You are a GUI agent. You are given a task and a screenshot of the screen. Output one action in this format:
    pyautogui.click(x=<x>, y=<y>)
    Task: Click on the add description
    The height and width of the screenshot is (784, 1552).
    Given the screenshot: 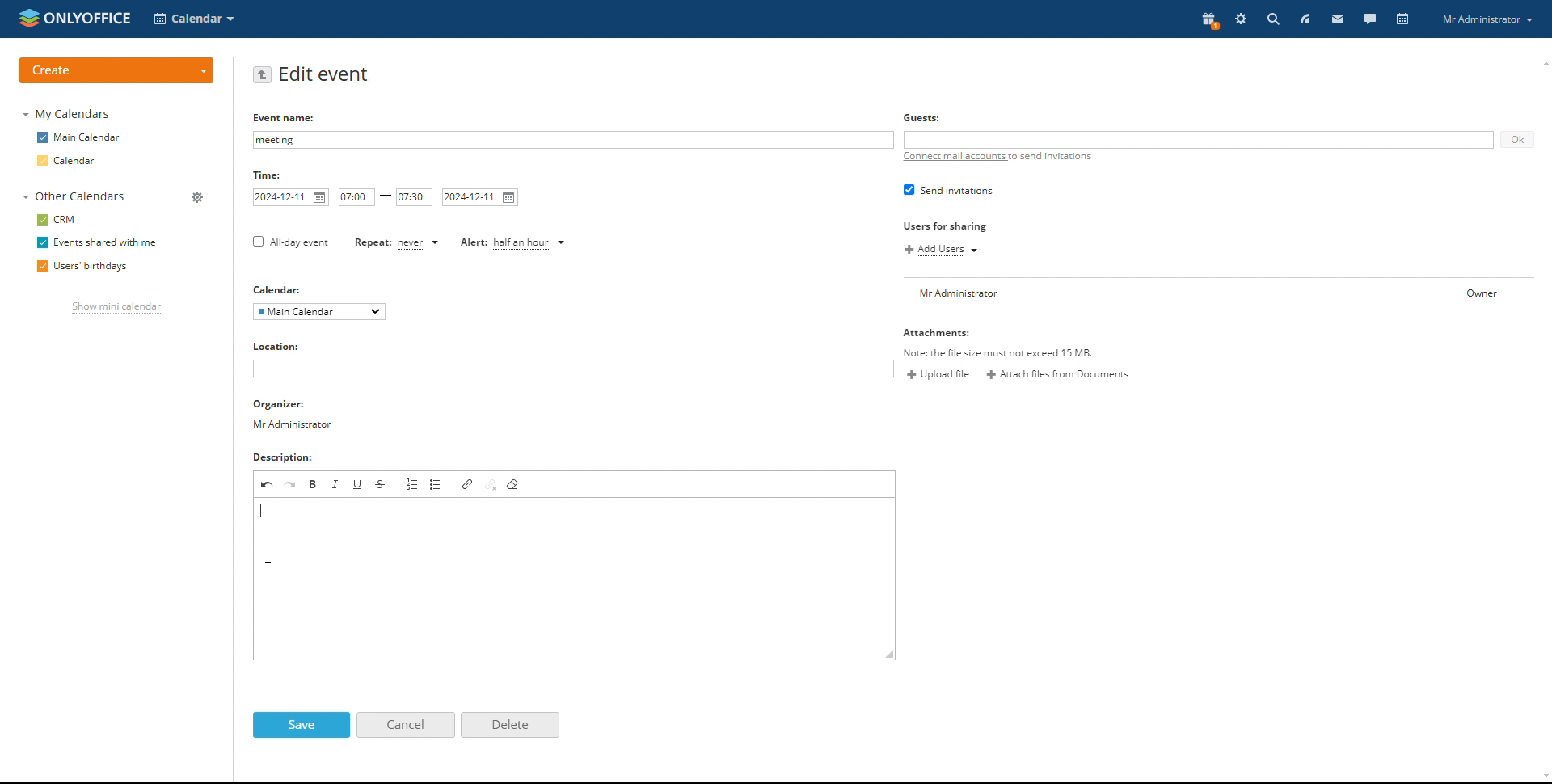 What is the action you would take?
    pyautogui.click(x=574, y=577)
    